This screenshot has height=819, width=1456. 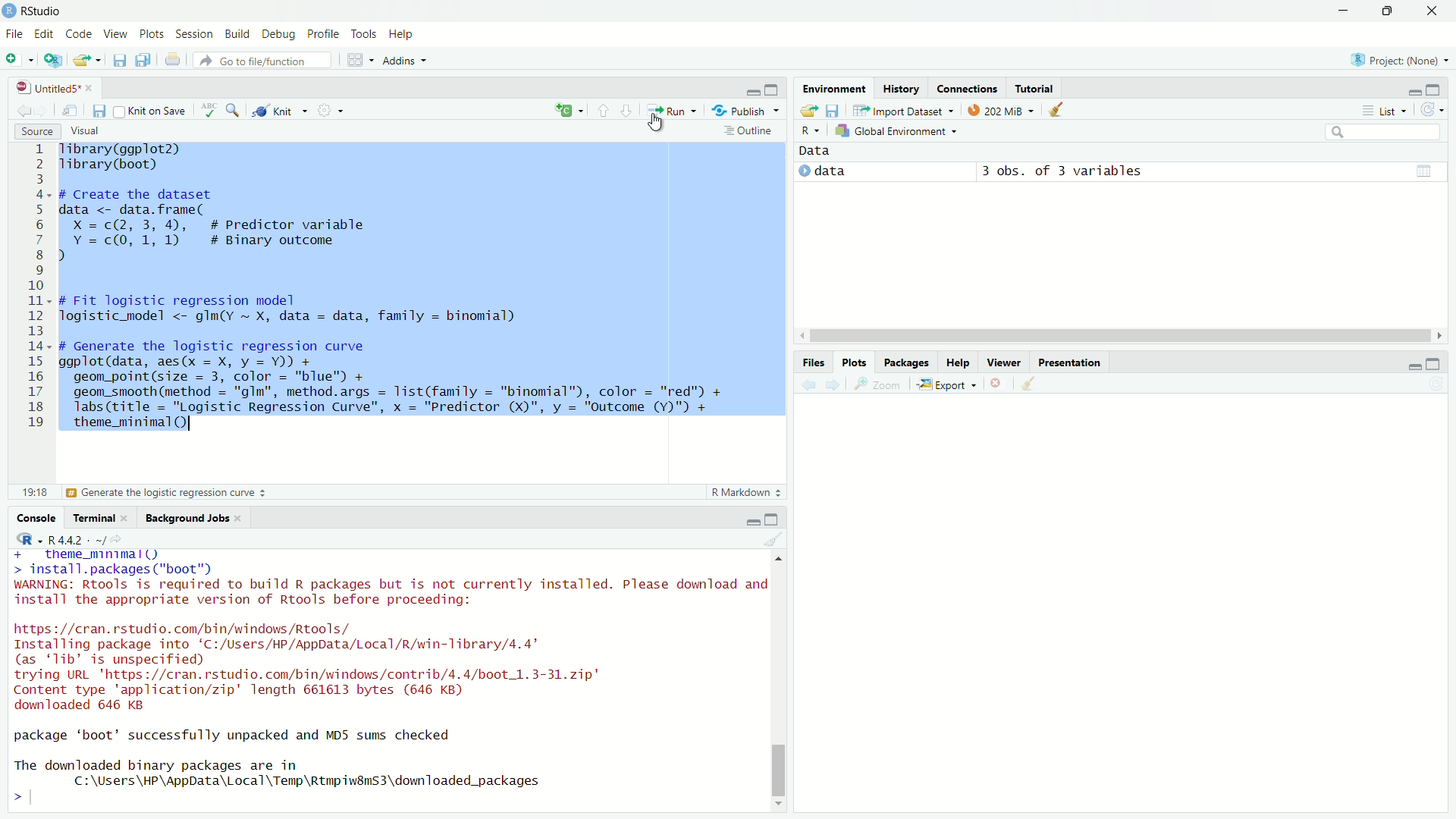 What do you see at coordinates (1121, 336) in the screenshot?
I see `horizontal scroll bar` at bounding box center [1121, 336].